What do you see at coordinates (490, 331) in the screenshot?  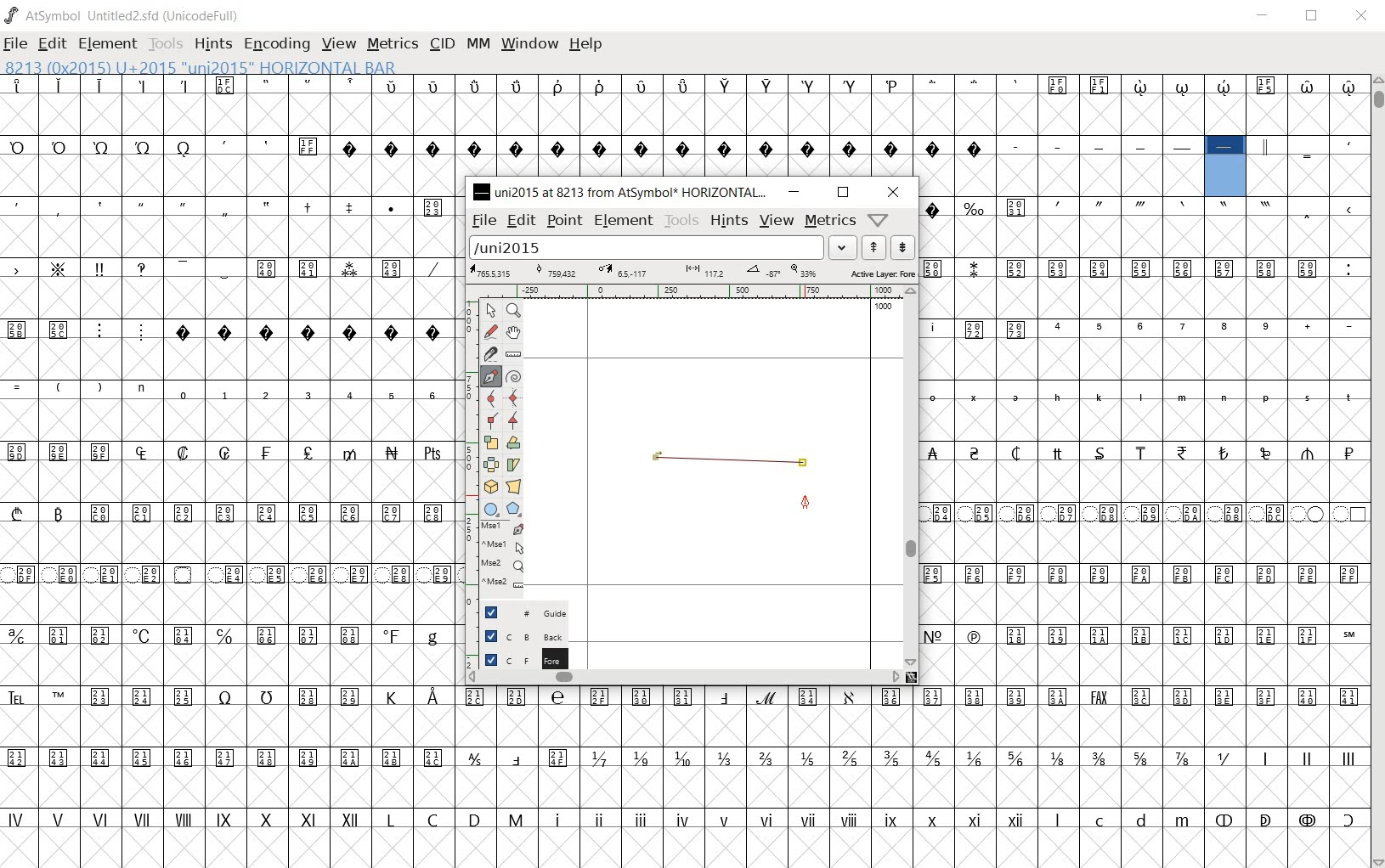 I see `draw a freehand curve` at bounding box center [490, 331].